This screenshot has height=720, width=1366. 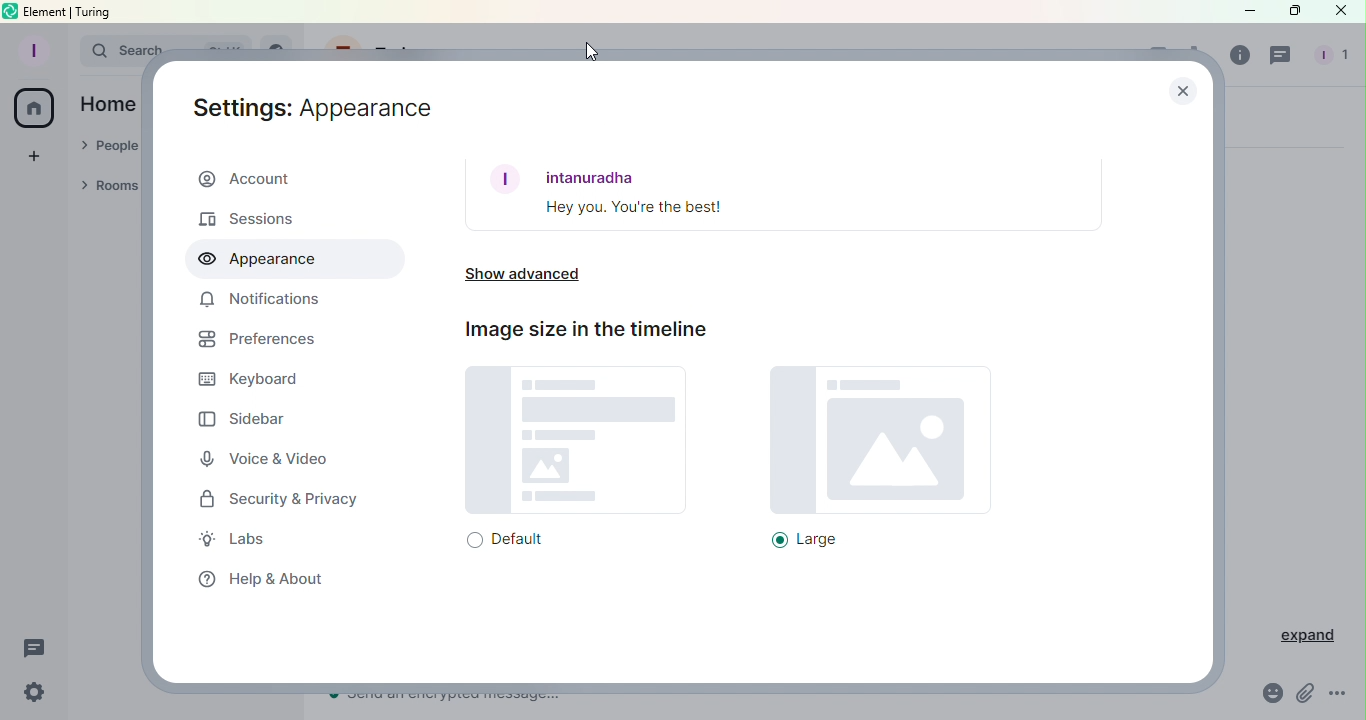 What do you see at coordinates (261, 303) in the screenshot?
I see `Notifications` at bounding box center [261, 303].